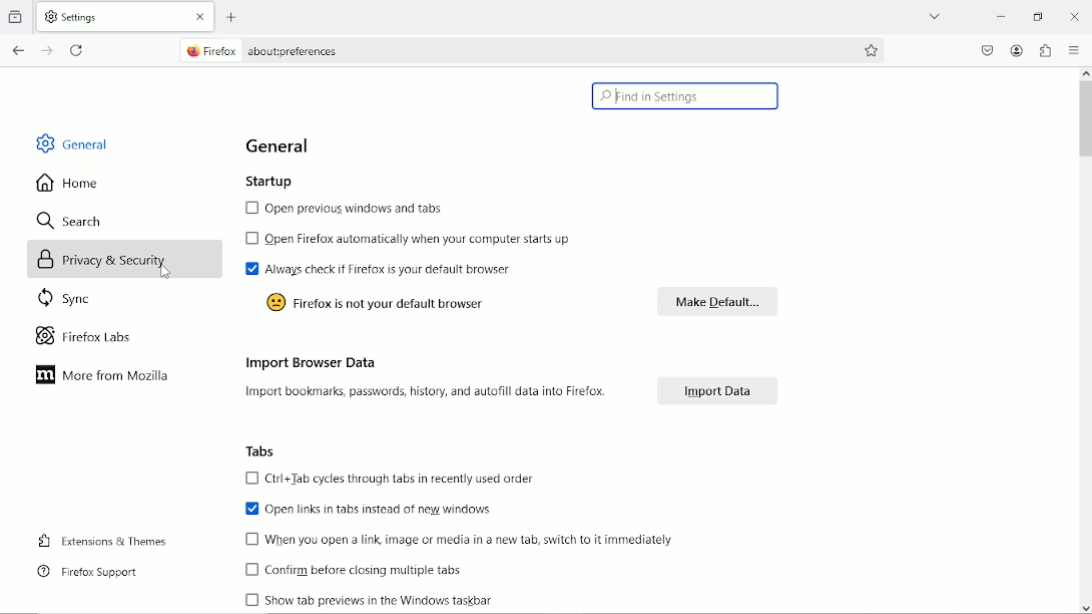 This screenshot has height=614, width=1092. Describe the element at coordinates (394, 304) in the screenshot. I see `firefox is not your default browser` at that location.